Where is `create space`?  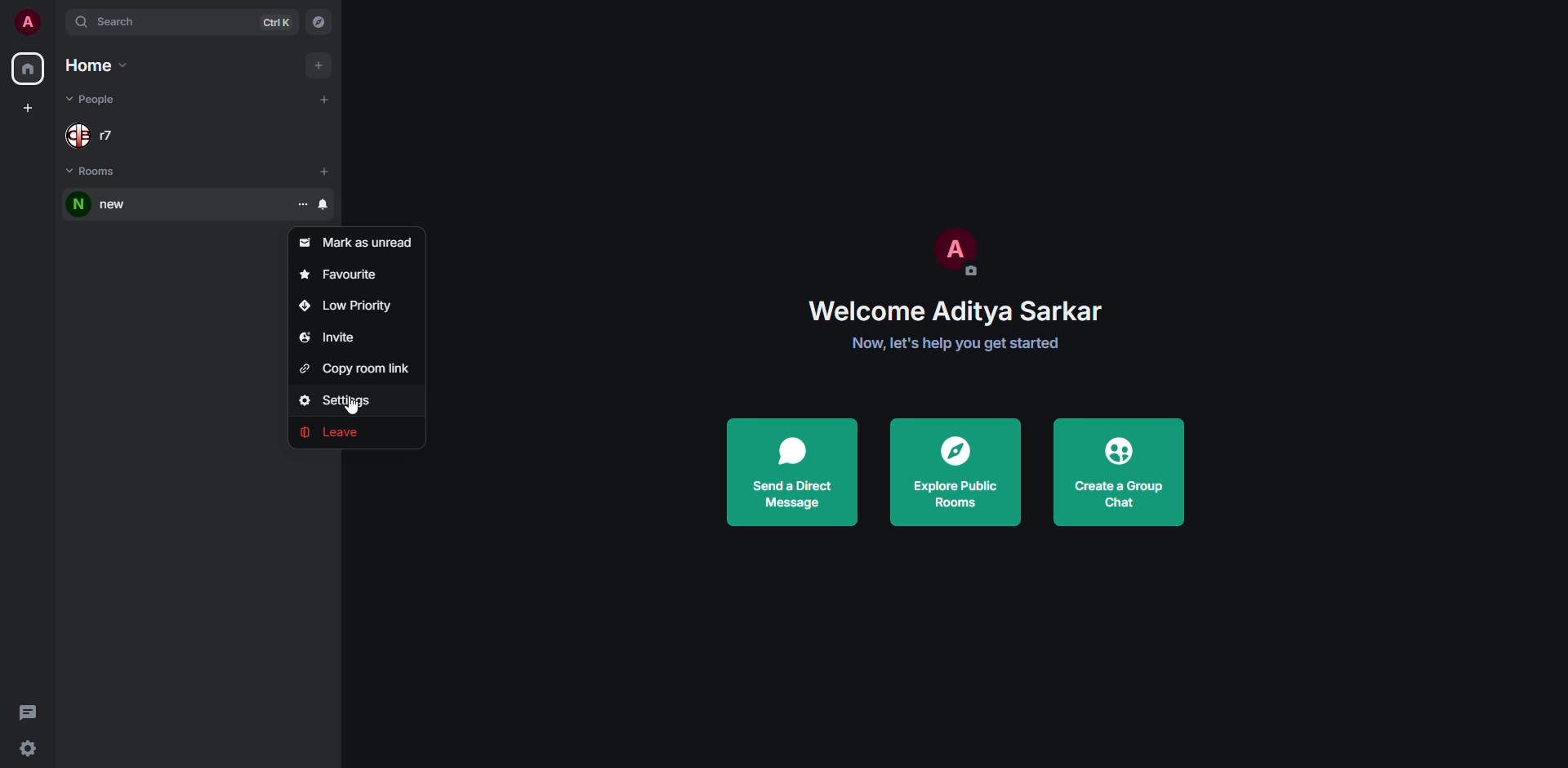 create space is located at coordinates (30, 108).